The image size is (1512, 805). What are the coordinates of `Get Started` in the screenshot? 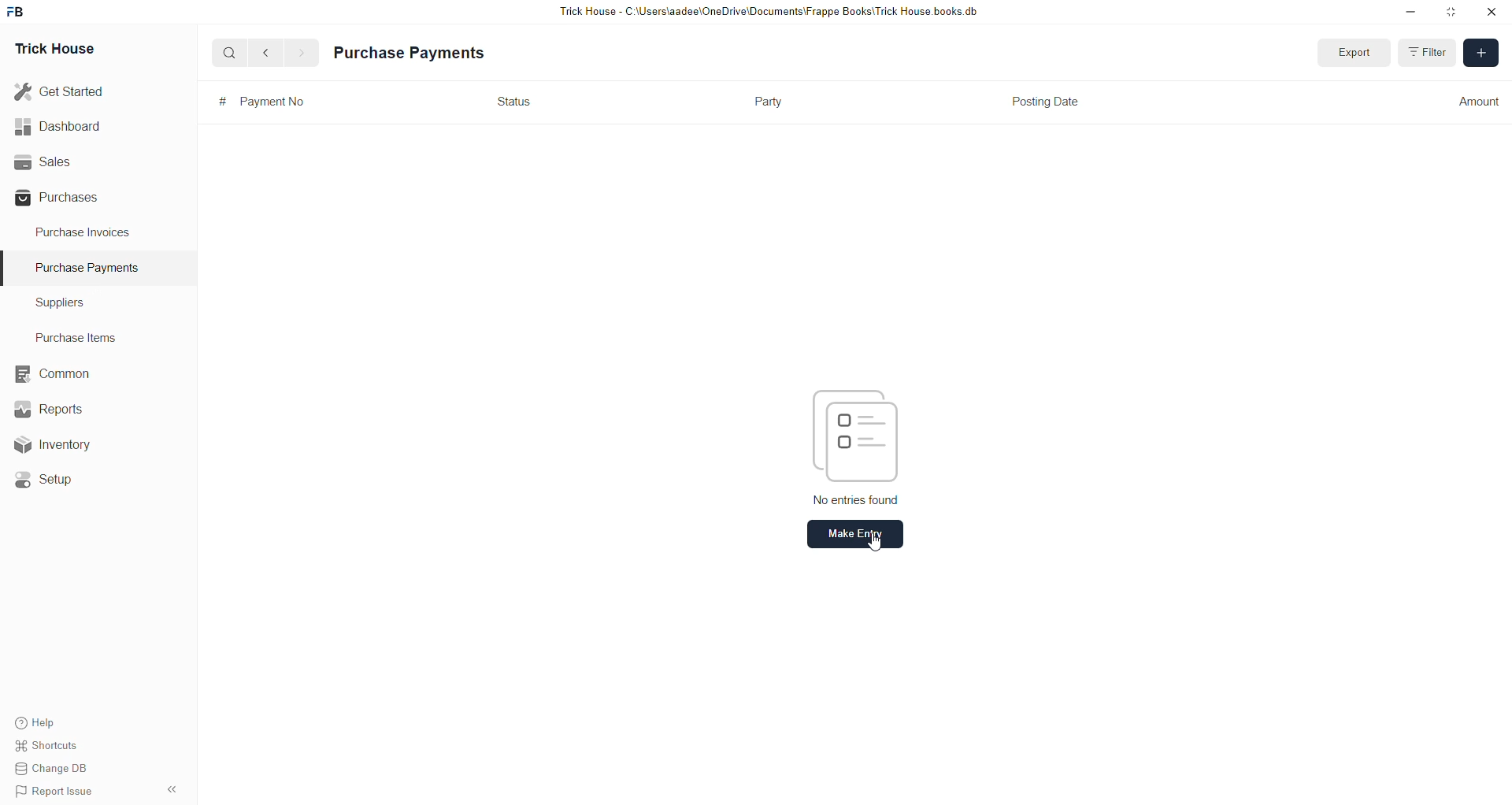 It's located at (62, 90).